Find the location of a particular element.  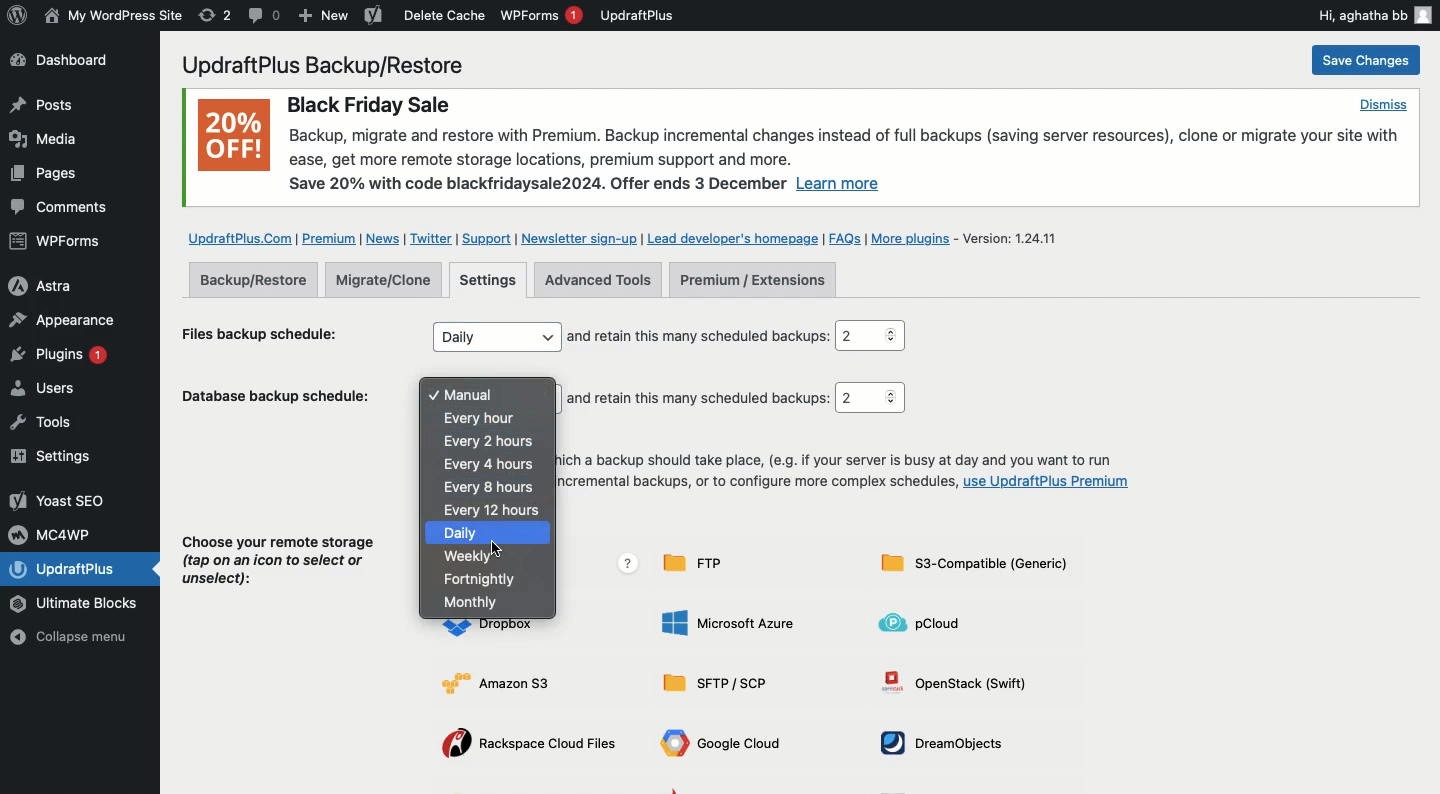

Yoast is located at coordinates (372, 17).